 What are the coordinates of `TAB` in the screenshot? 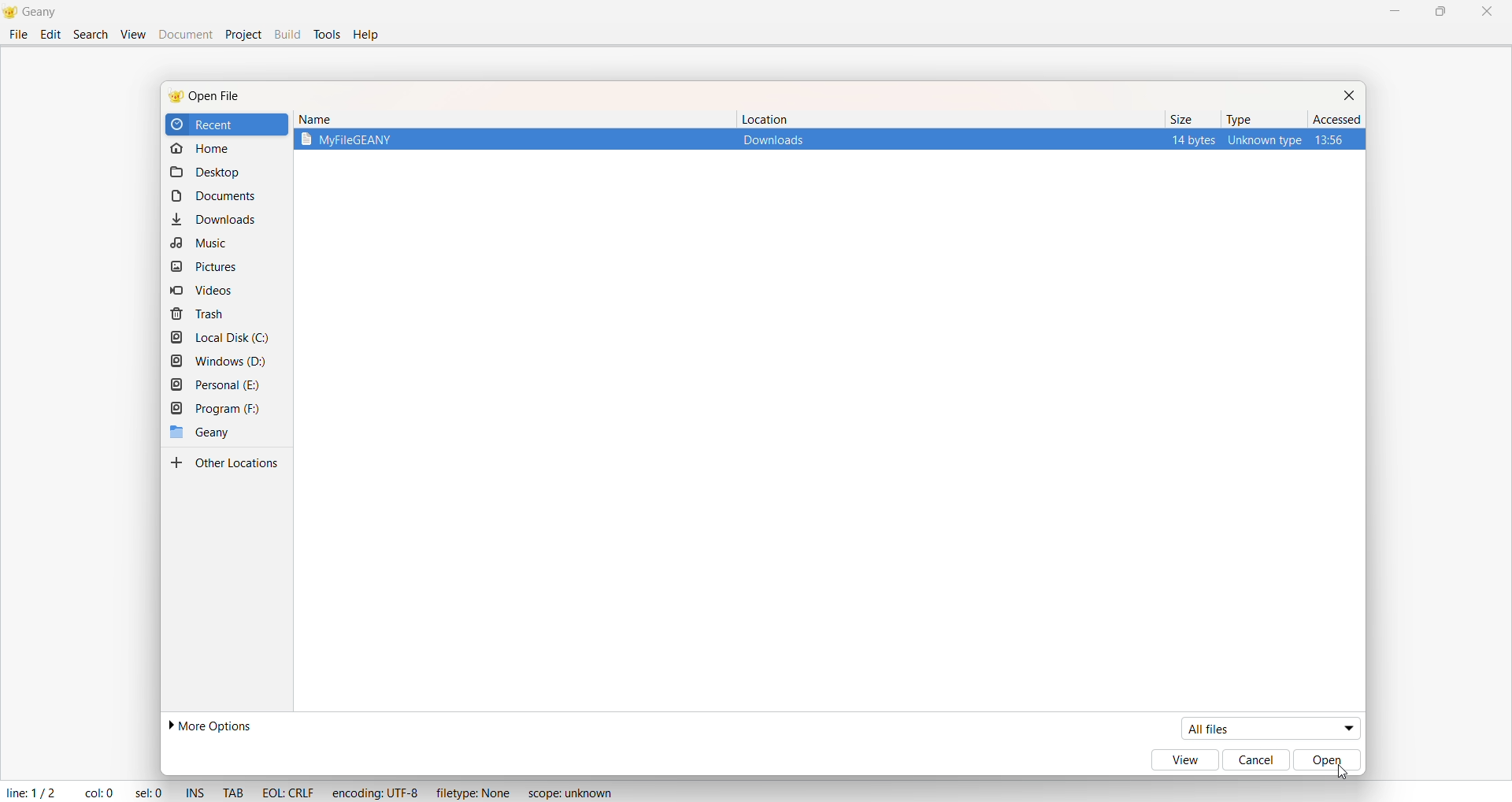 It's located at (235, 790).